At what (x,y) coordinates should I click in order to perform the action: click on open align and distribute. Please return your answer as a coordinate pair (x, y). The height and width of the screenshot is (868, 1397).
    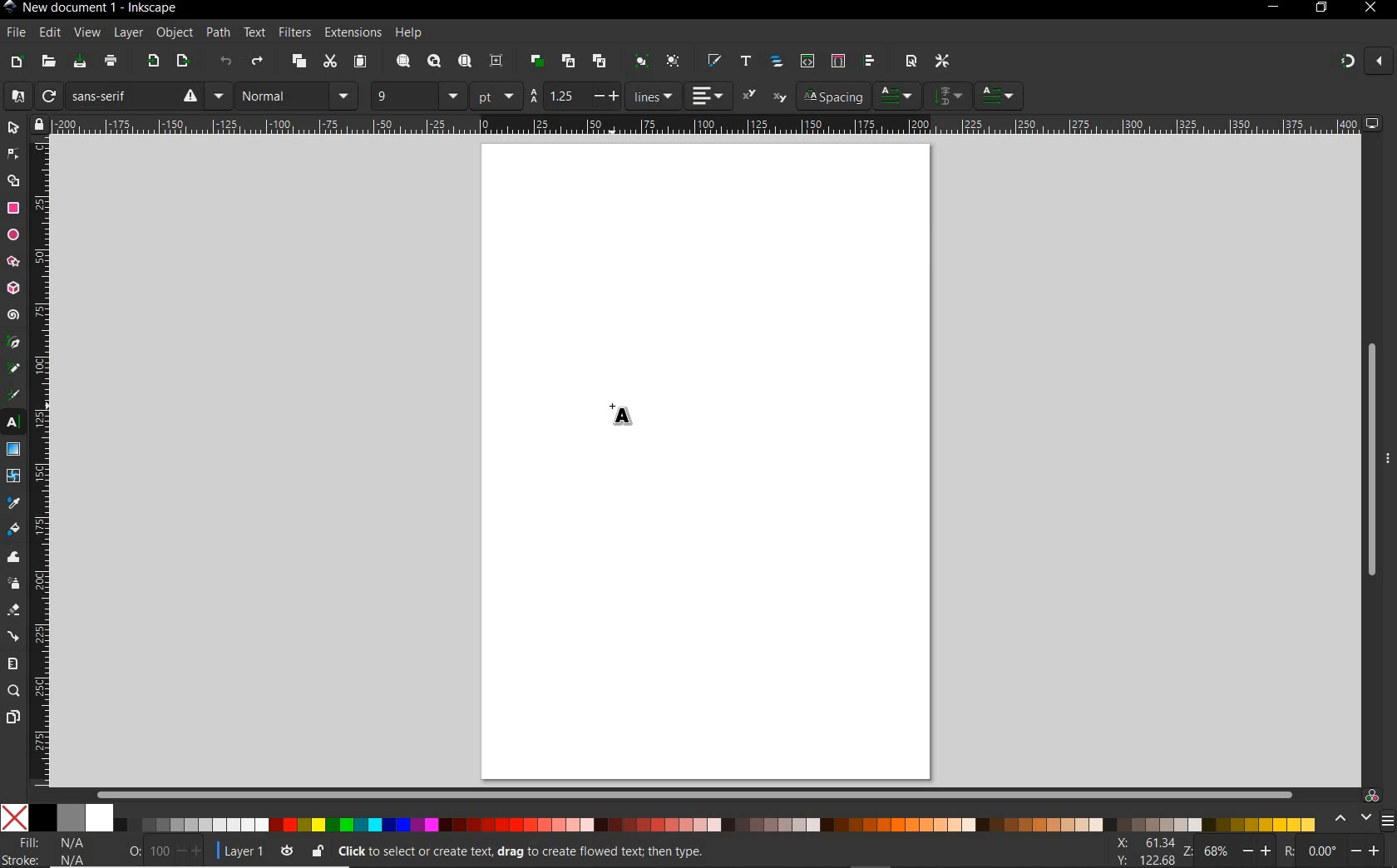
    Looking at the image, I should click on (868, 61).